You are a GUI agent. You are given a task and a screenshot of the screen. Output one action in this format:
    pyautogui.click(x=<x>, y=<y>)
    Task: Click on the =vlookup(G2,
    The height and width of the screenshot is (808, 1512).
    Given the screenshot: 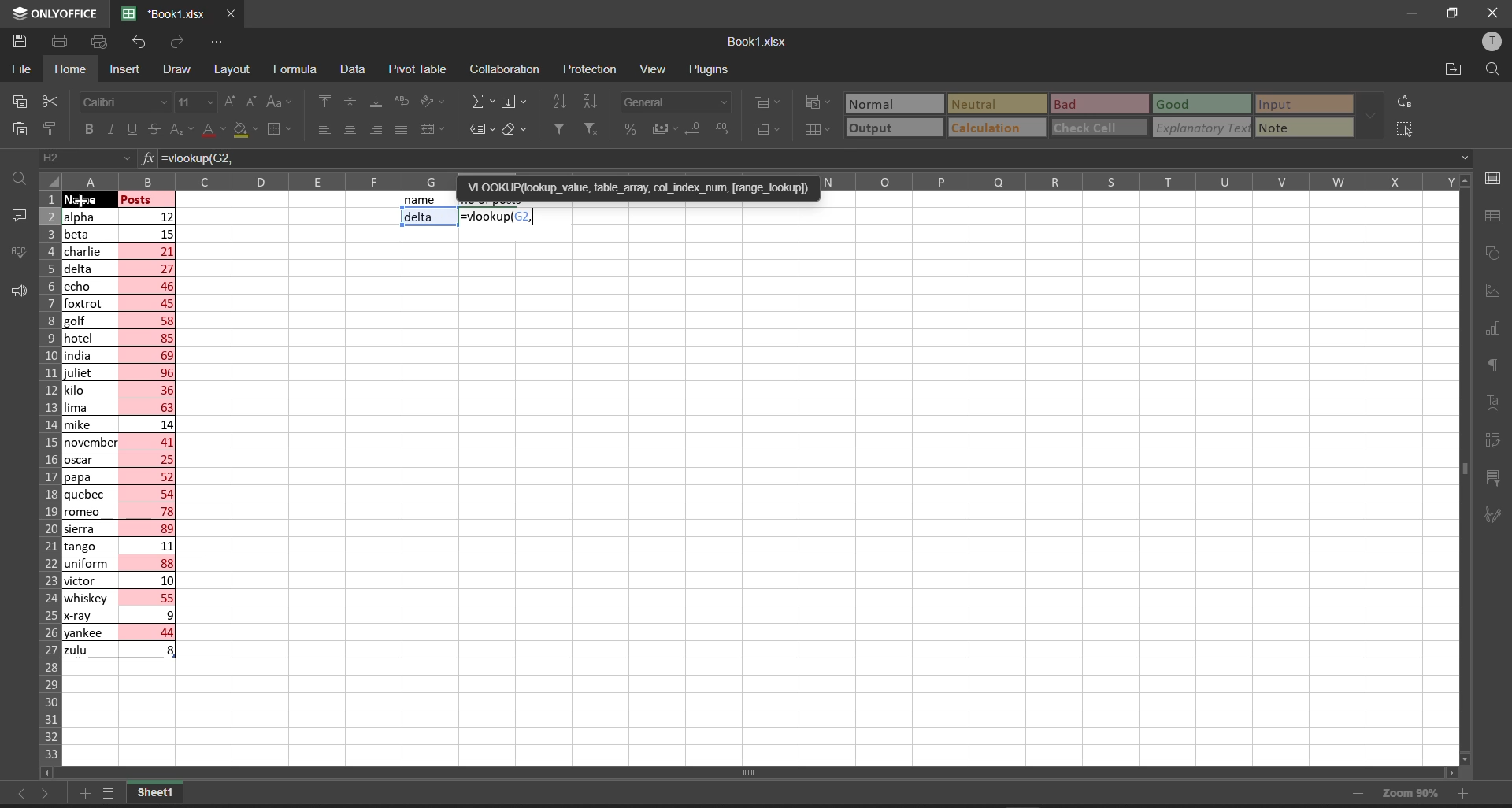 What is the action you would take?
    pyautogui.click(x=815, y=159)
    